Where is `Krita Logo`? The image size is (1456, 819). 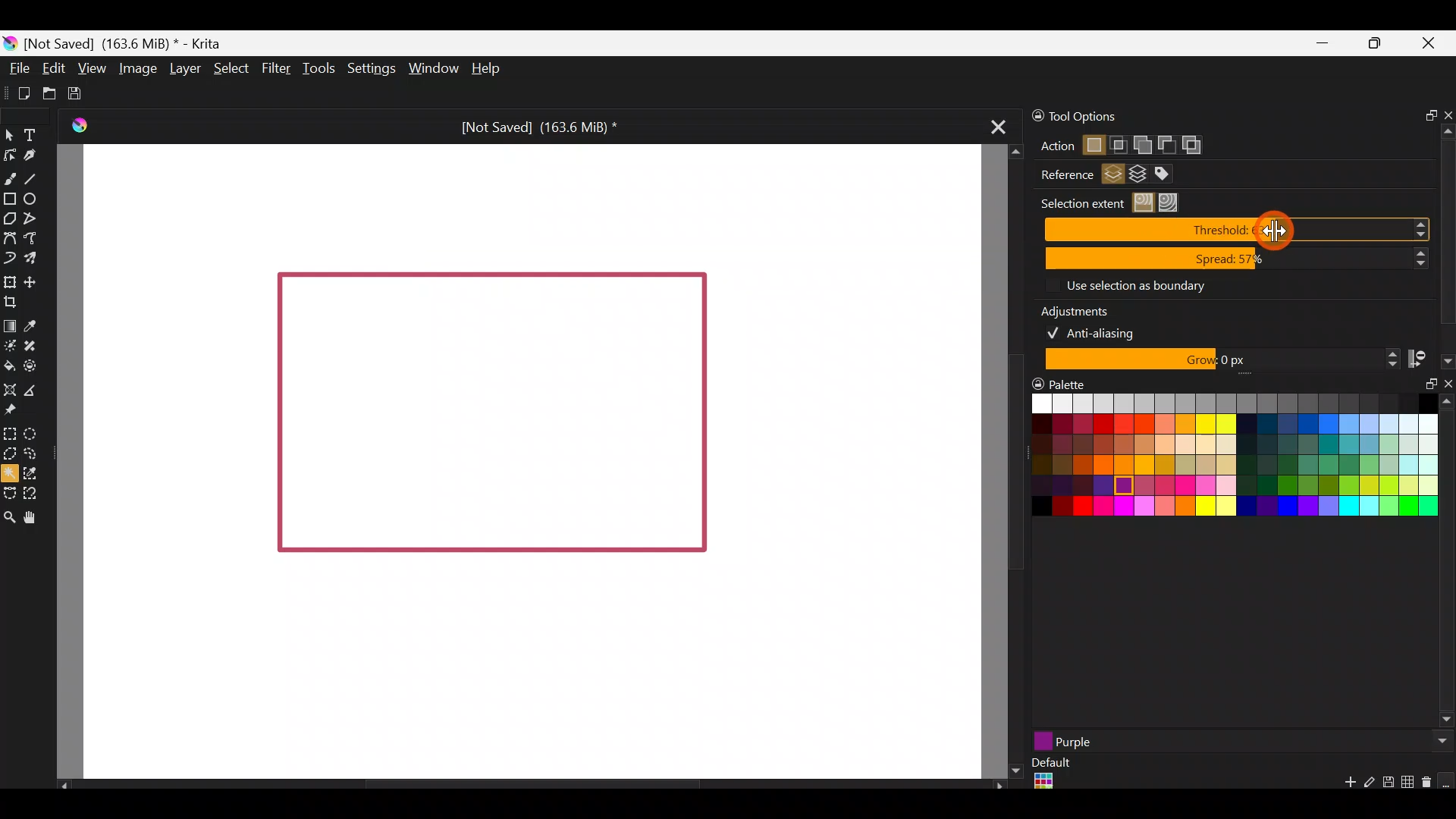 Krita Logo is located at coordinates (80, 124).